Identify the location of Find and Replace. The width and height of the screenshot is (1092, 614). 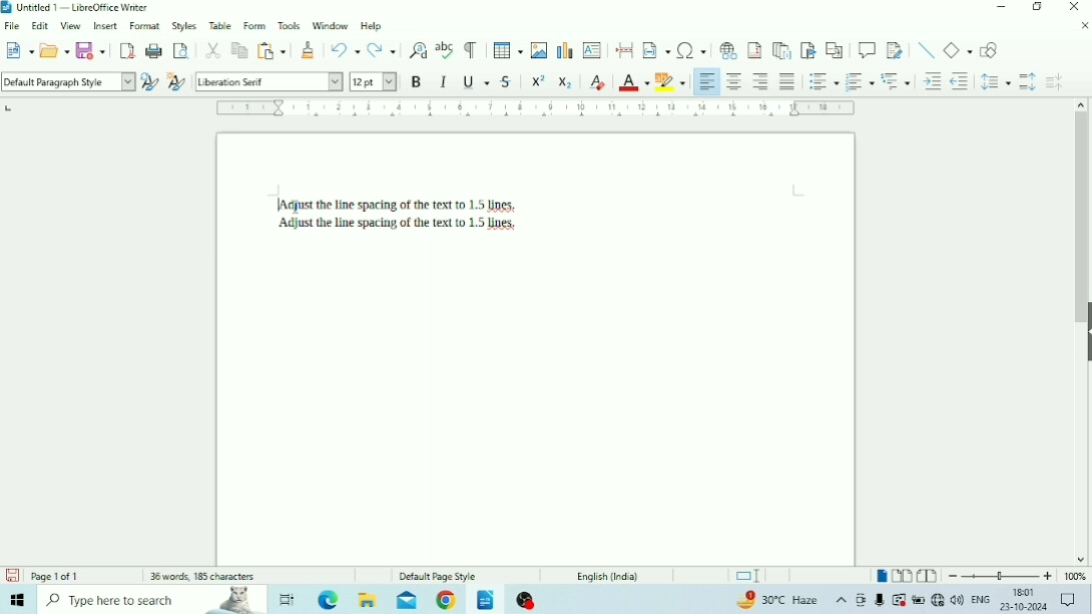
(417, 49).